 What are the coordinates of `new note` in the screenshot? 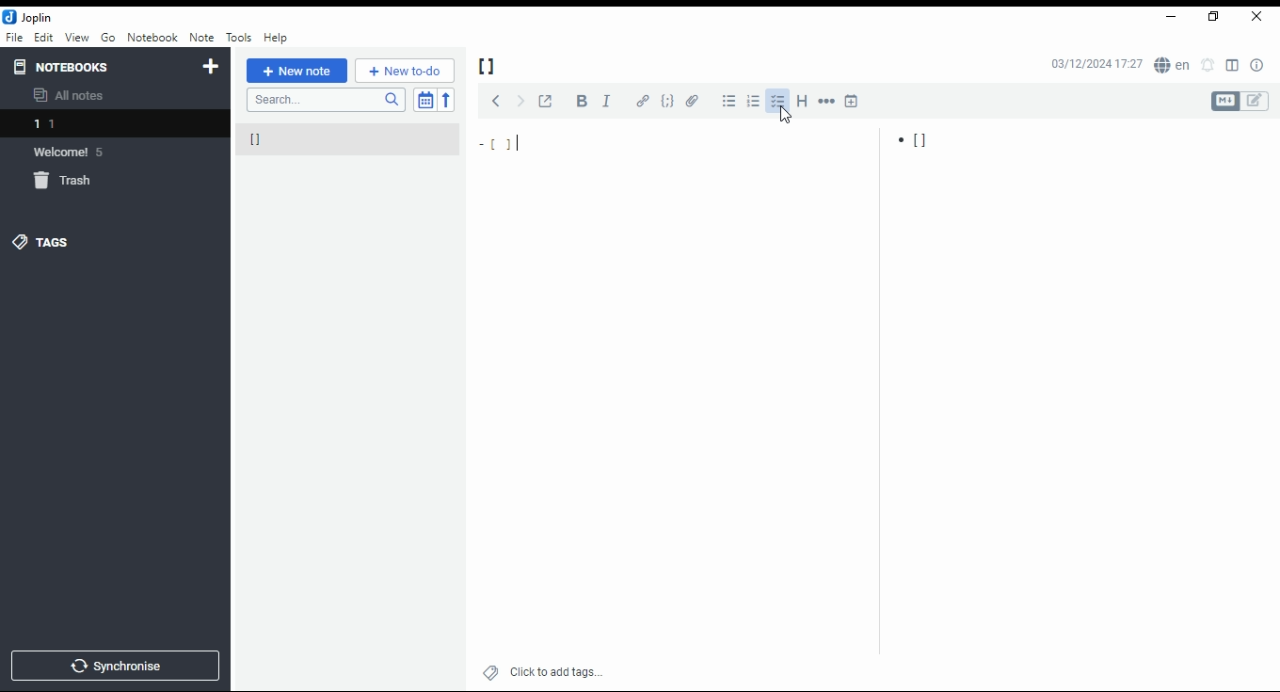 It's located at (297, 71).